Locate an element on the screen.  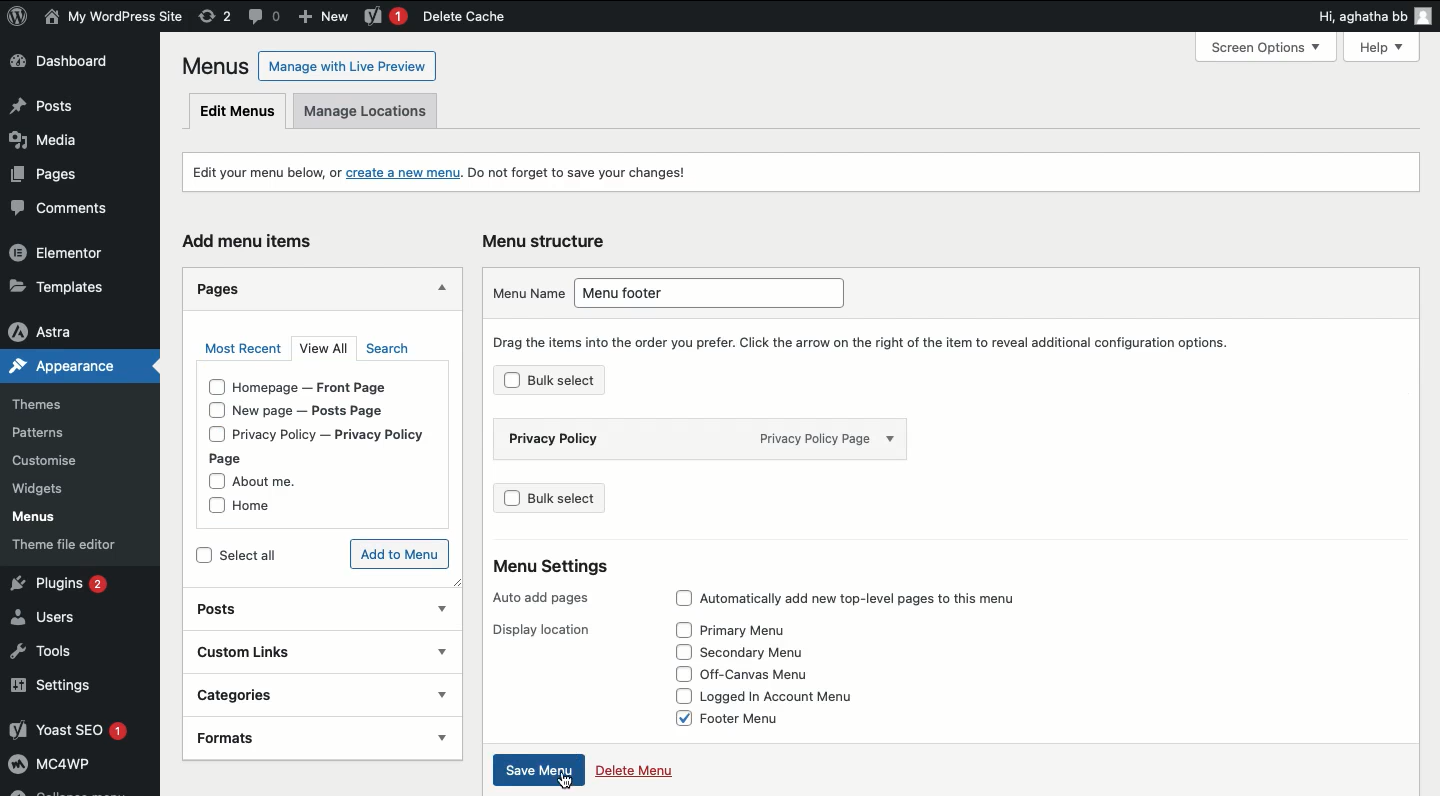
checkbox is located at coordinates (214, 435).